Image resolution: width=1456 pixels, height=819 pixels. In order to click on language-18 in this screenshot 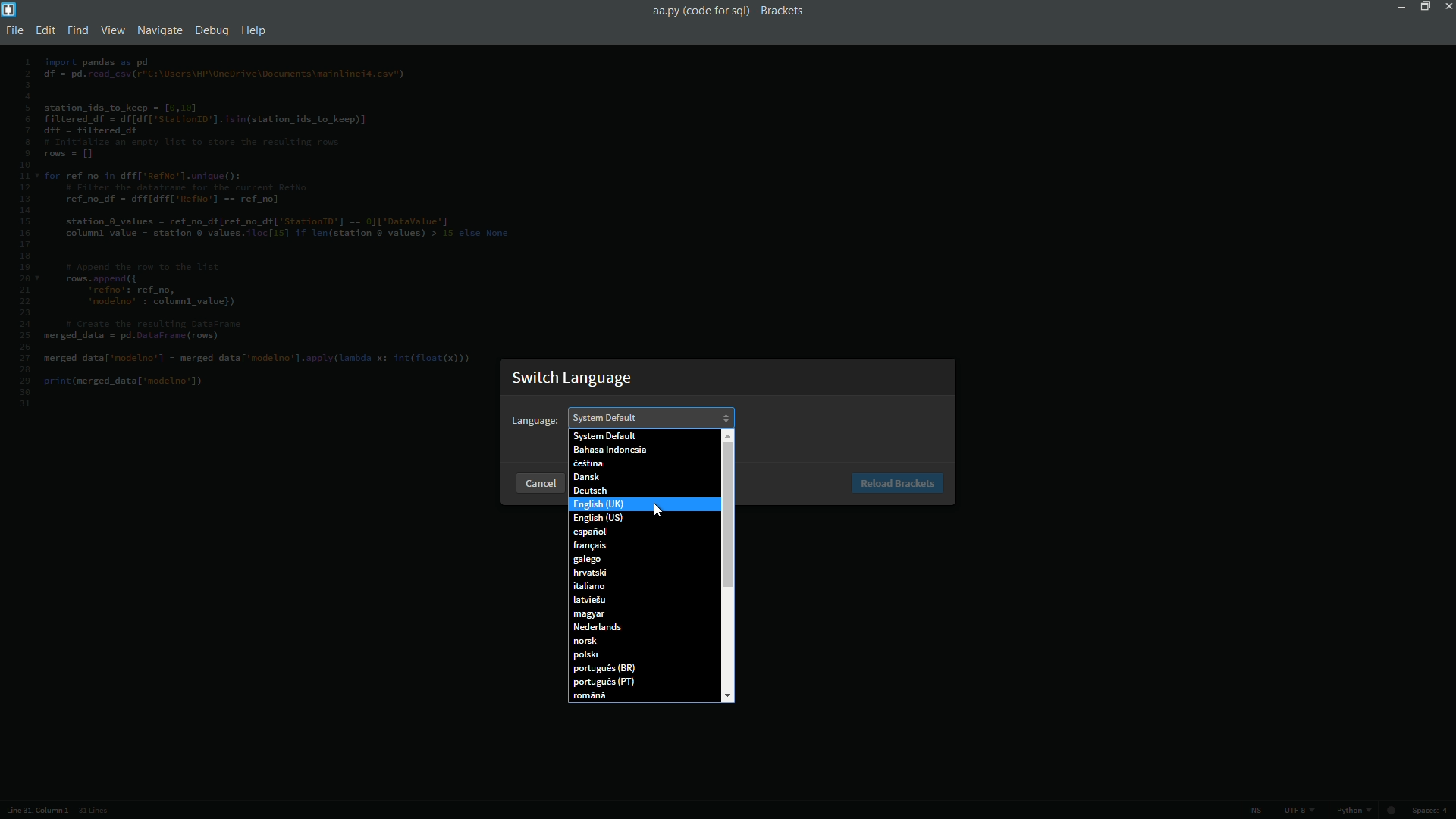, I will do `click(603, 684)`.